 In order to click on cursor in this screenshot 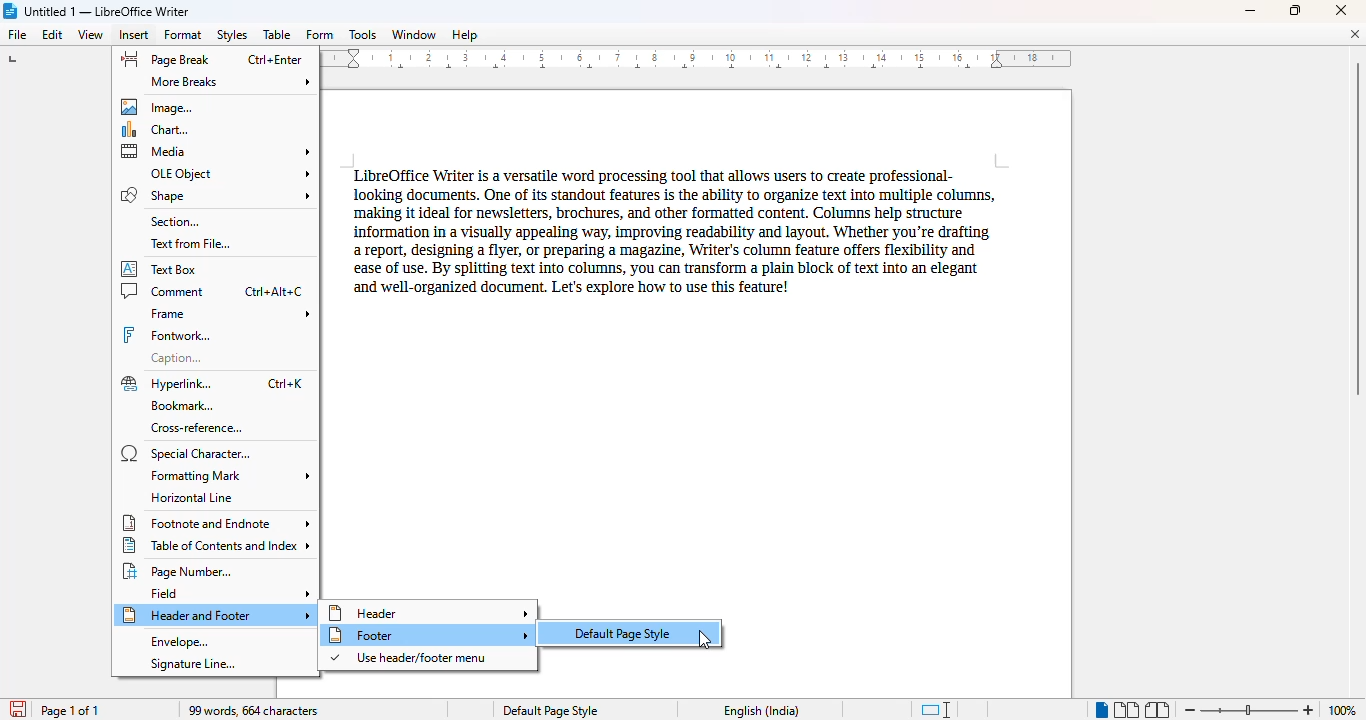, I will do `click(705, 640)`.